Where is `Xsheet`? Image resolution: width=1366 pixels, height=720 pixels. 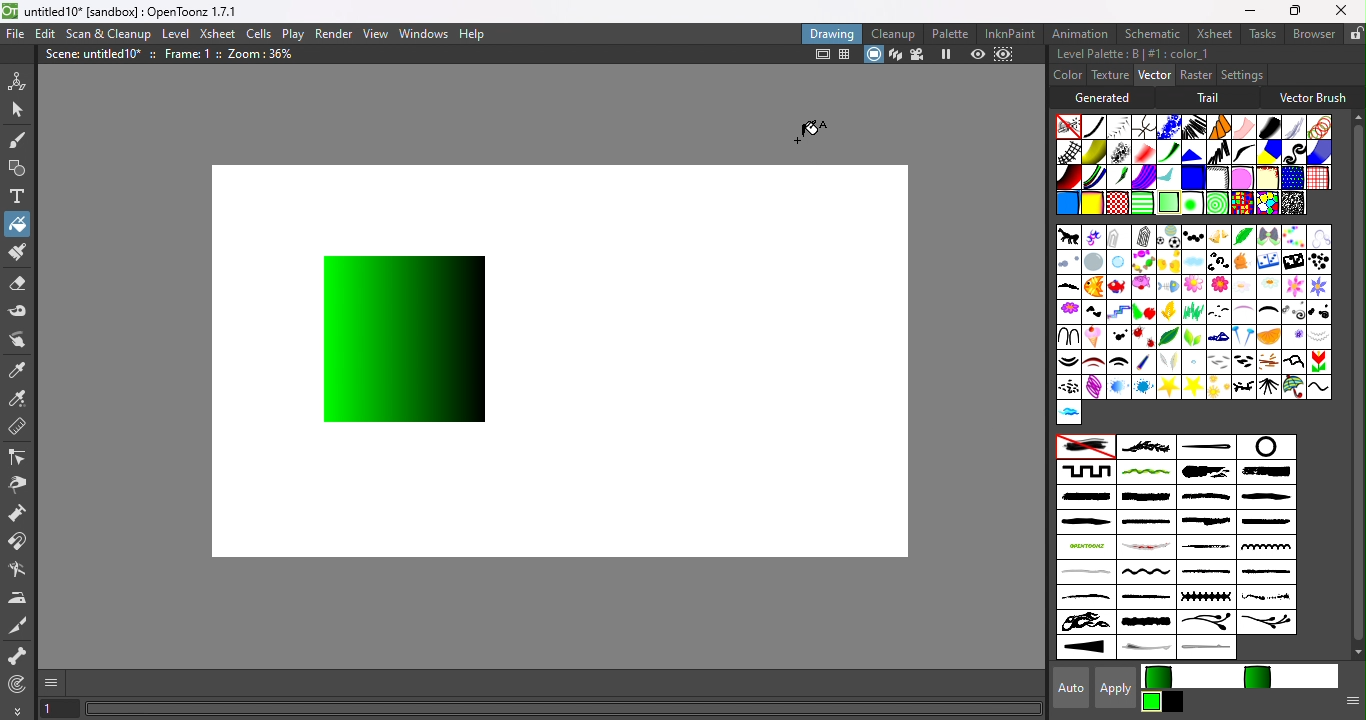 Xsheet is located at coordinates (1211, 33).